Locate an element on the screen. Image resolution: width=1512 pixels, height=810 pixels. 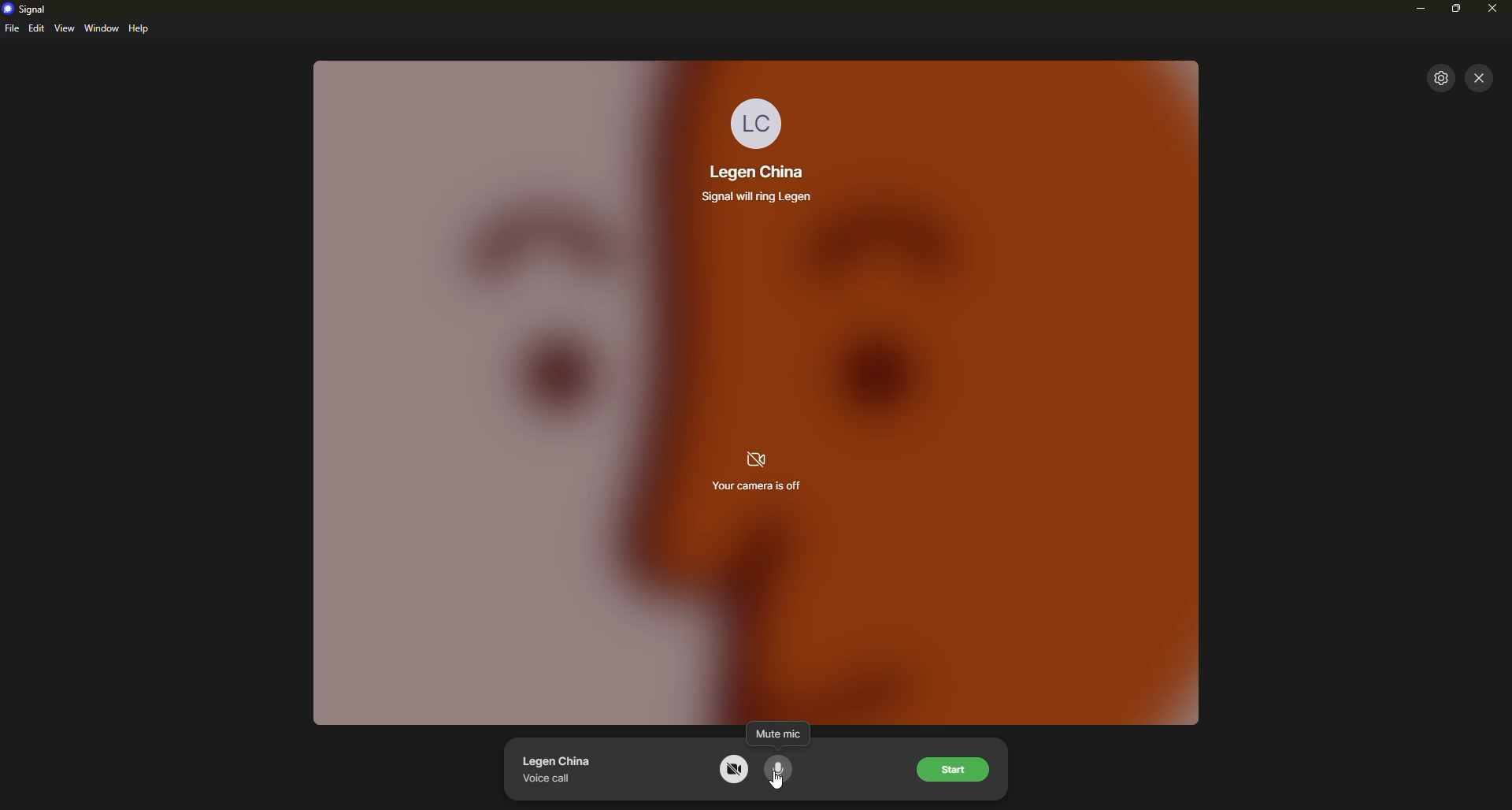
close is located at coordinates (1495, 9).